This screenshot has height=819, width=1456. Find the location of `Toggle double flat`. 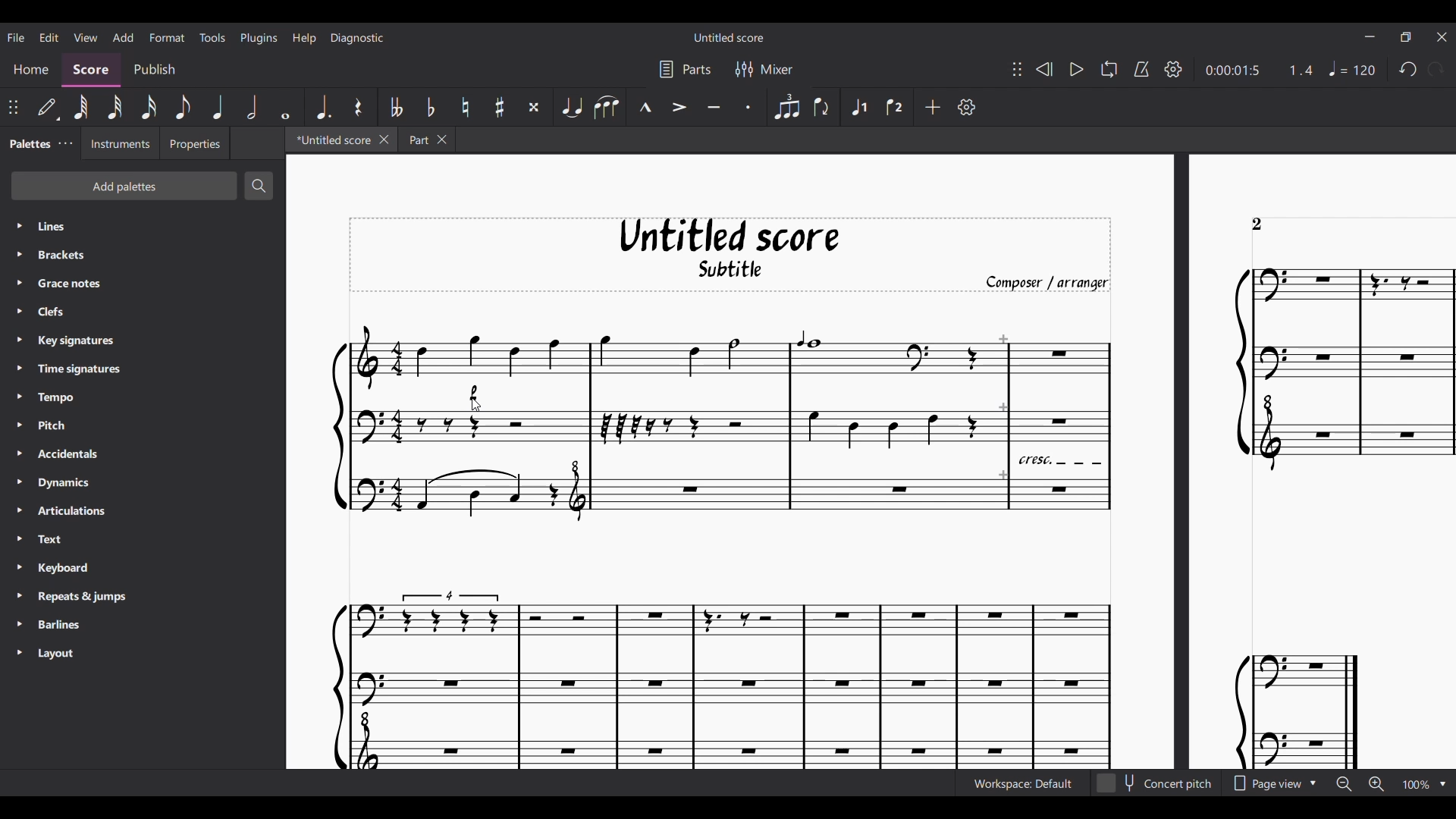

Toggle double flat is located at coordinates (394, 107).